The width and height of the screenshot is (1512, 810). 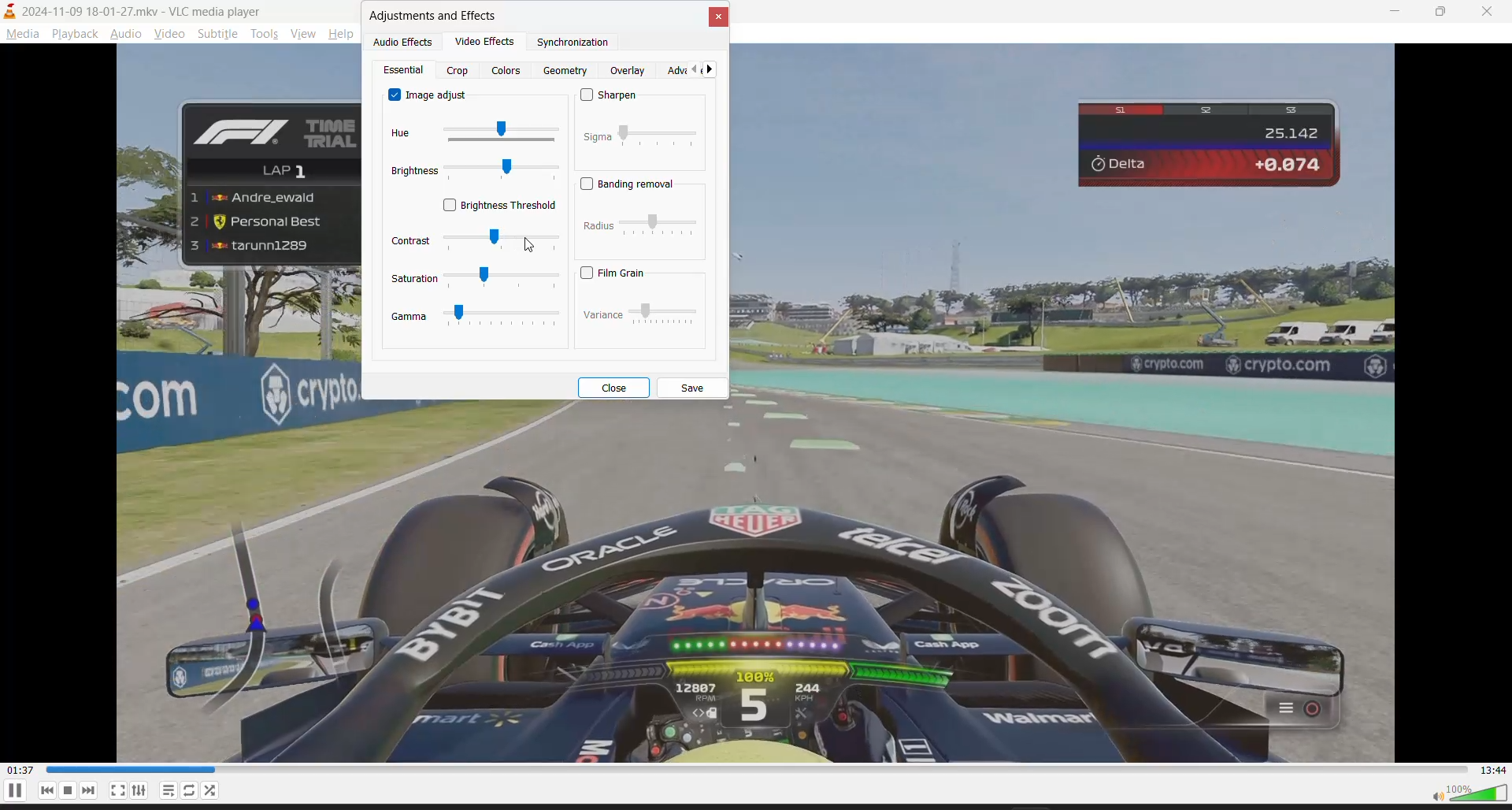 What do you see at coordinates (435, 17) in the screenshot?
I see `adjustments and effects` at bounding box center [435, 17].